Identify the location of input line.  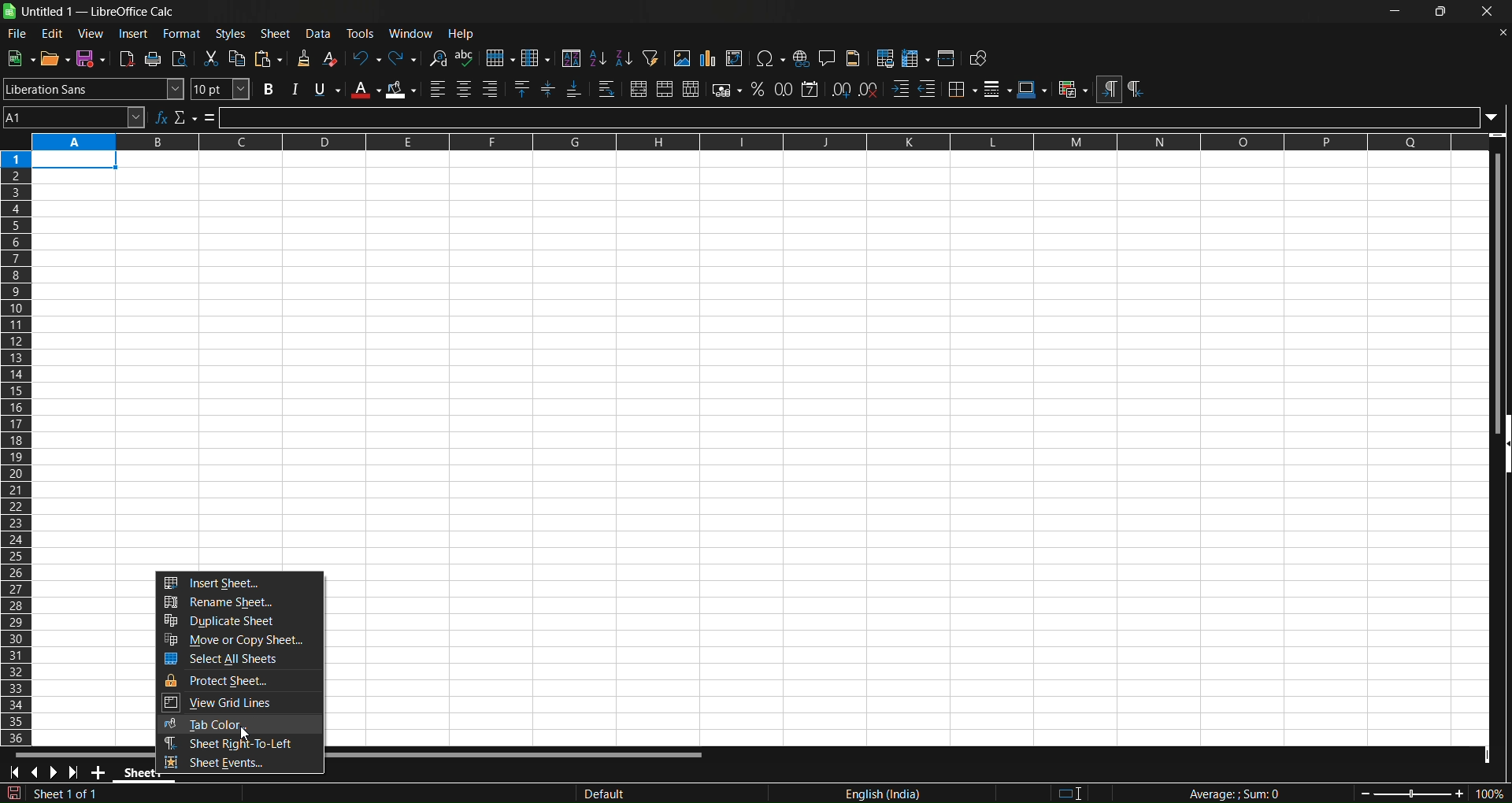
(862, 117).